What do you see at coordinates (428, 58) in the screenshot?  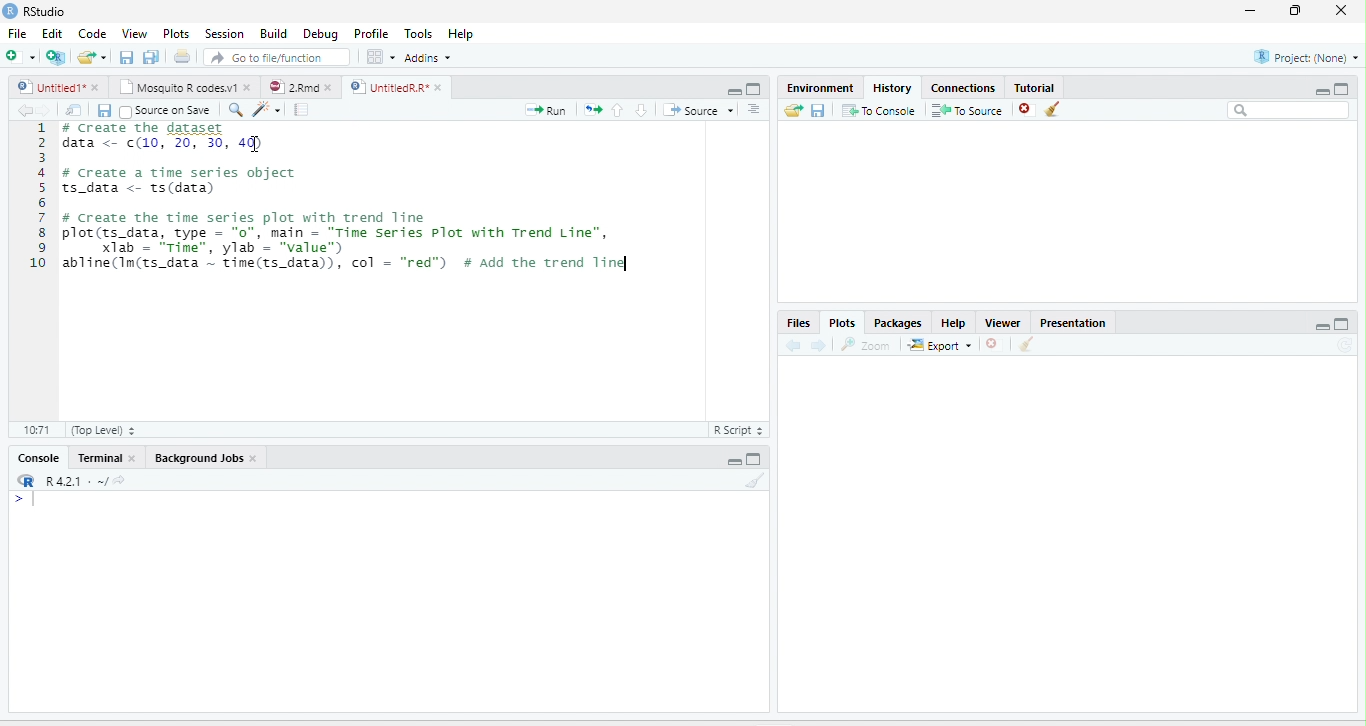 I see `Addins` at bounding box center [428, 58].